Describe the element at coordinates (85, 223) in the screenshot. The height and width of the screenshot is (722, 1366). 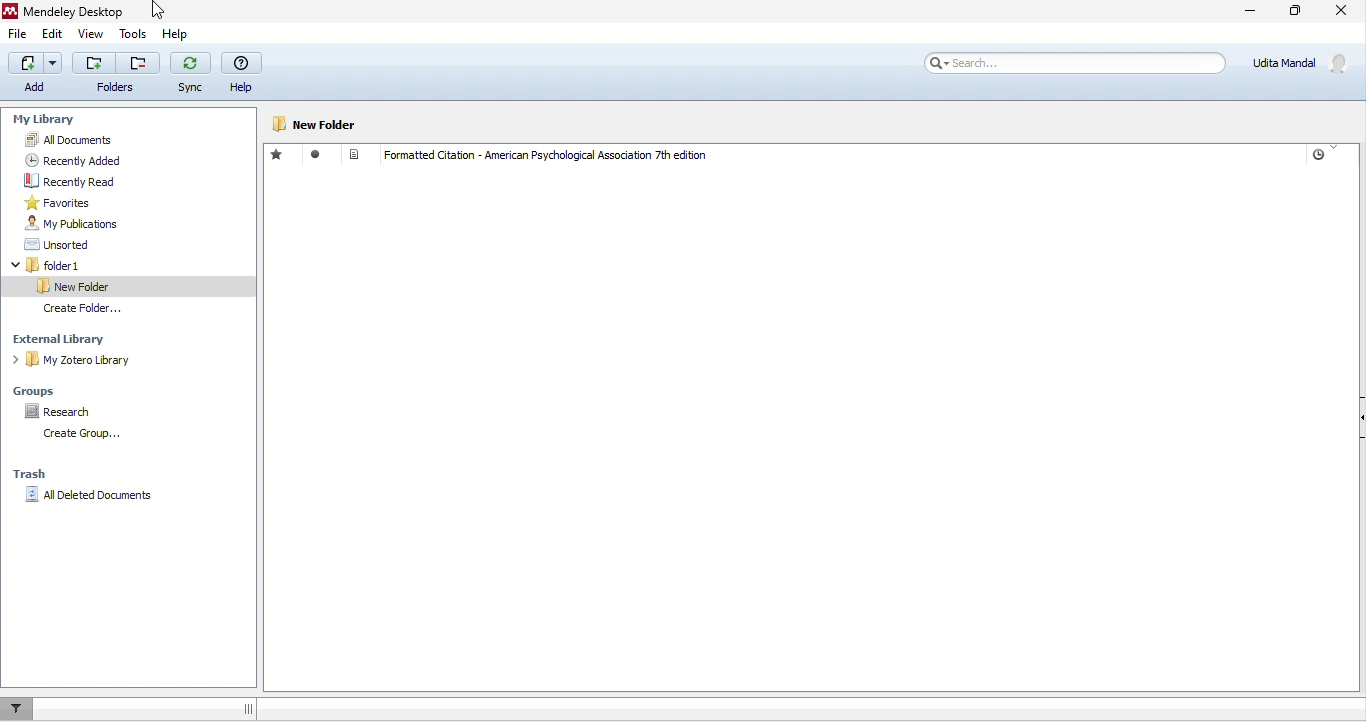
I see `my publications` at that location.